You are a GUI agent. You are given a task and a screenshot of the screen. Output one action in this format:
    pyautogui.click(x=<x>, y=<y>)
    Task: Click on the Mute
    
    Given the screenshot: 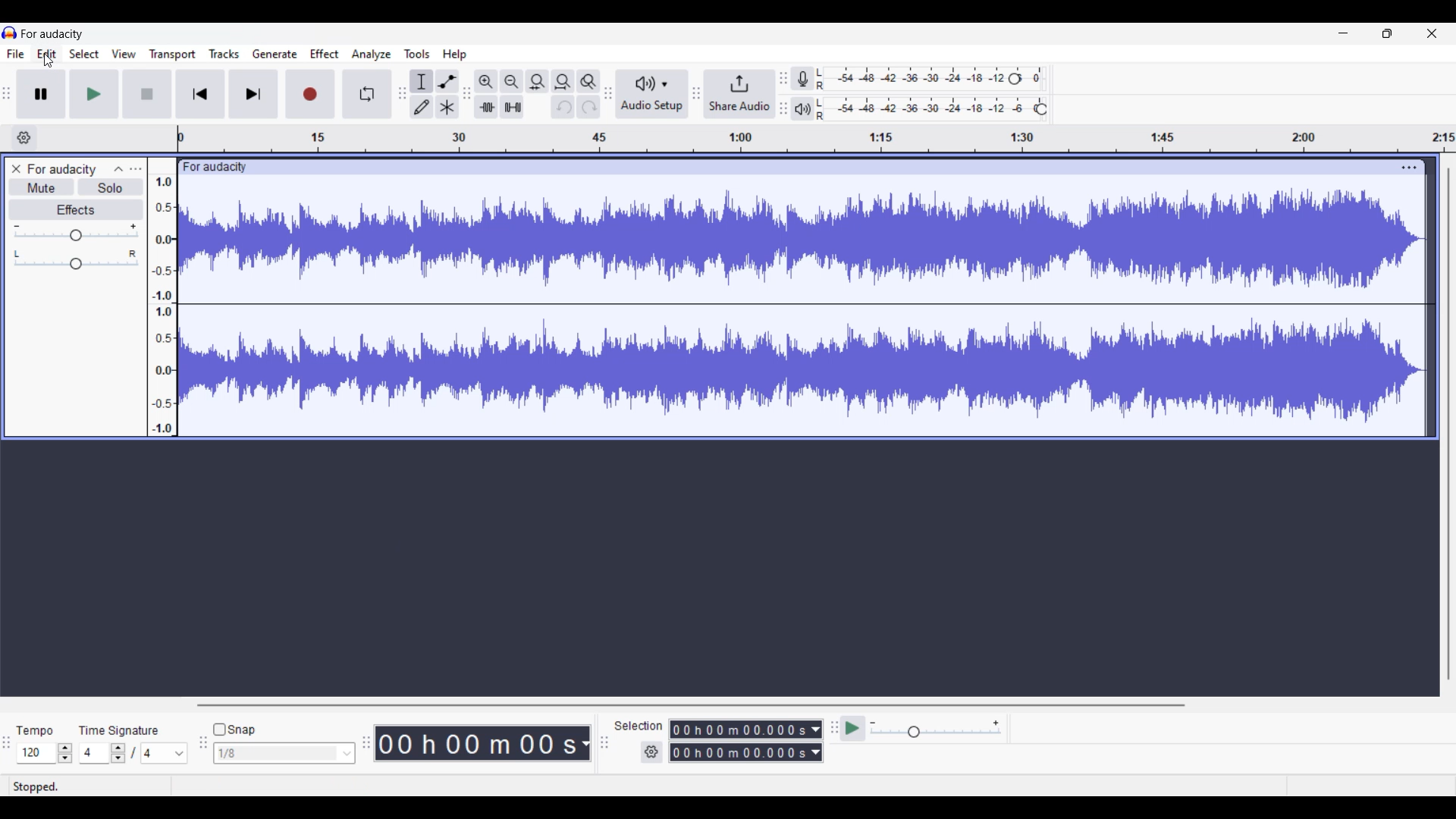 What is the action you would take?
    pyautogui.click(x=42, y=187)
    